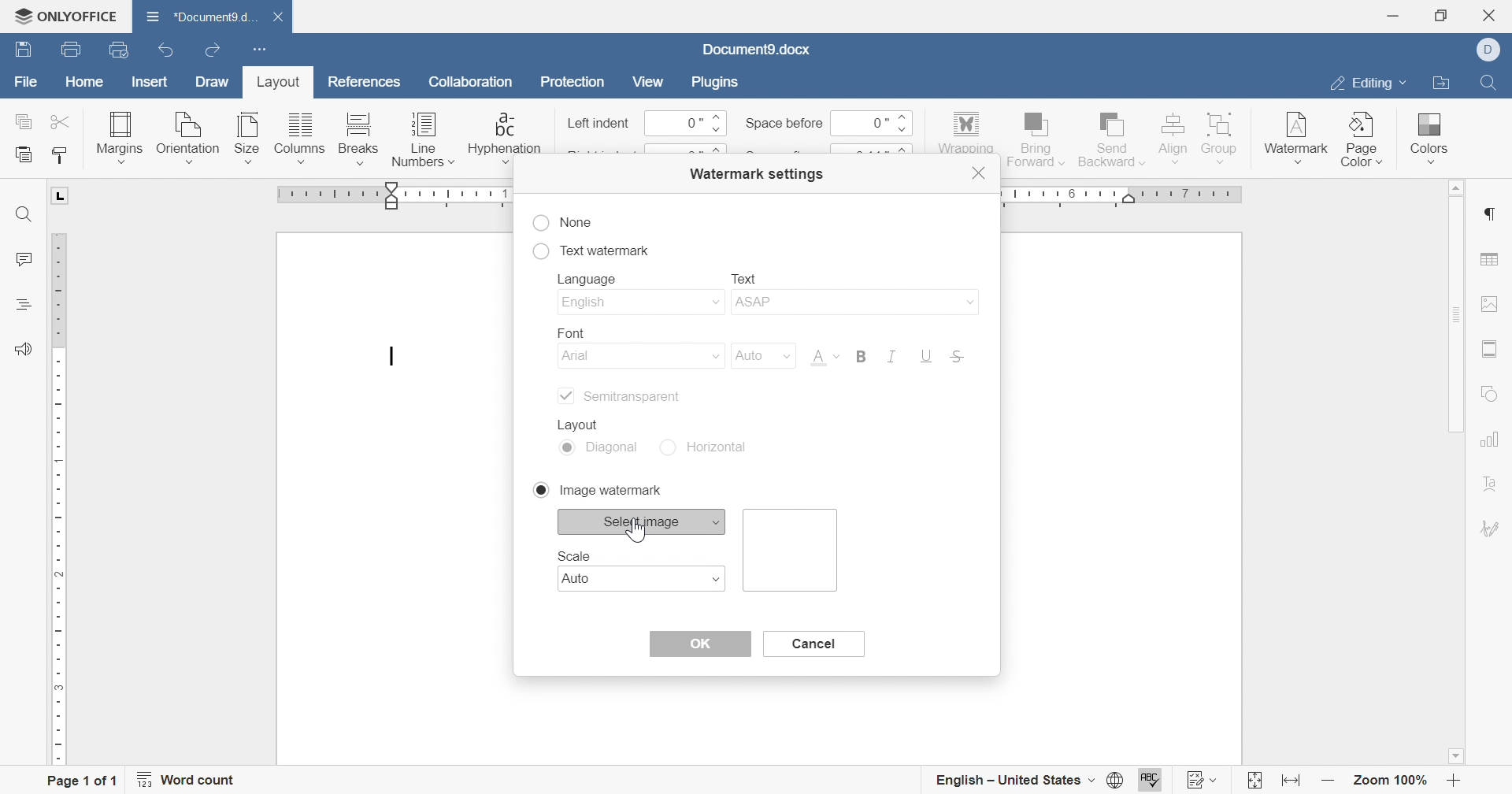  Describe the element at coordinates (1221, 136) in the screenshot. I see `group` at that location.